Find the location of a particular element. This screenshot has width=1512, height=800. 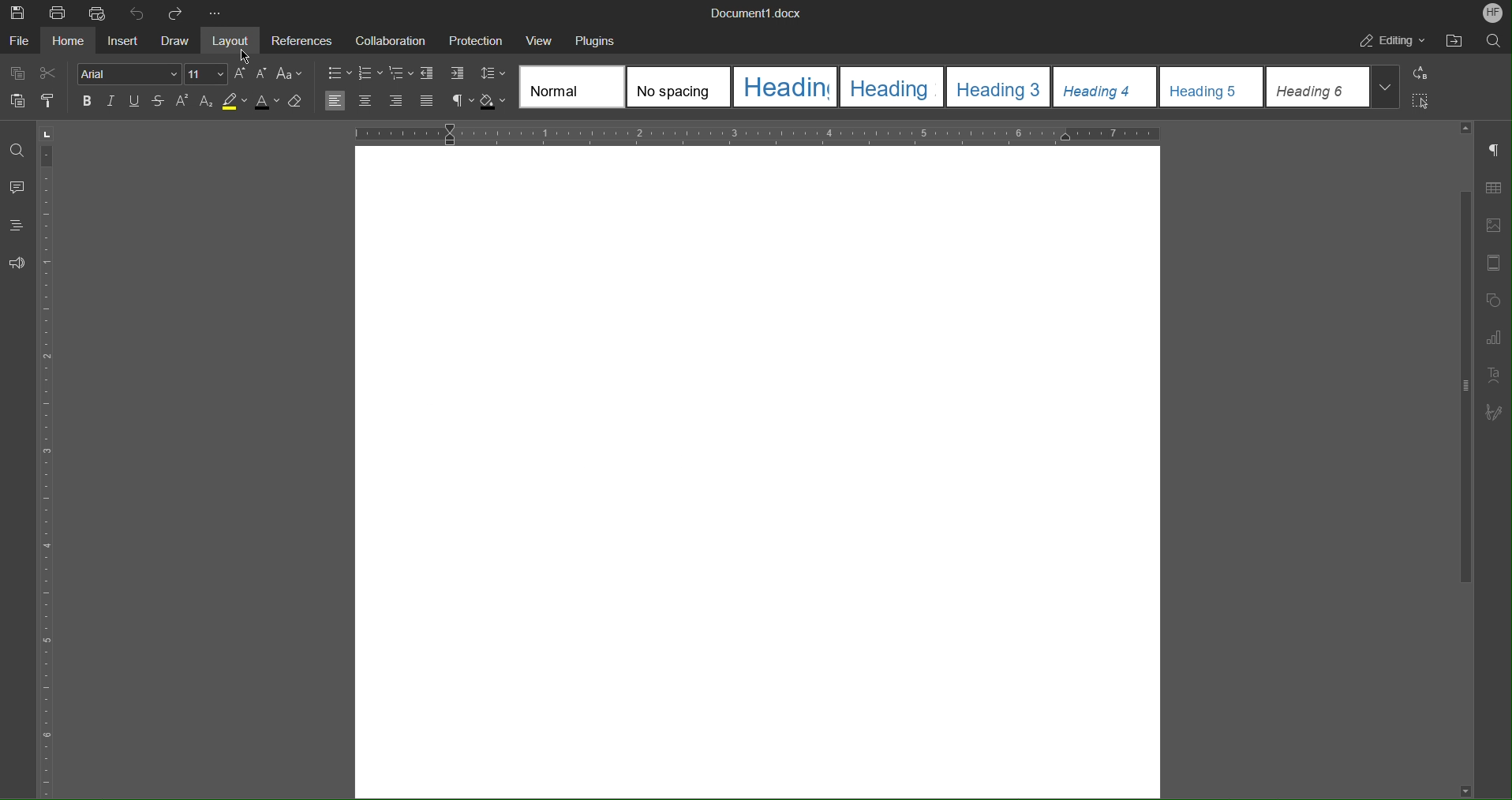

Home is located at coordinates (71, 41).